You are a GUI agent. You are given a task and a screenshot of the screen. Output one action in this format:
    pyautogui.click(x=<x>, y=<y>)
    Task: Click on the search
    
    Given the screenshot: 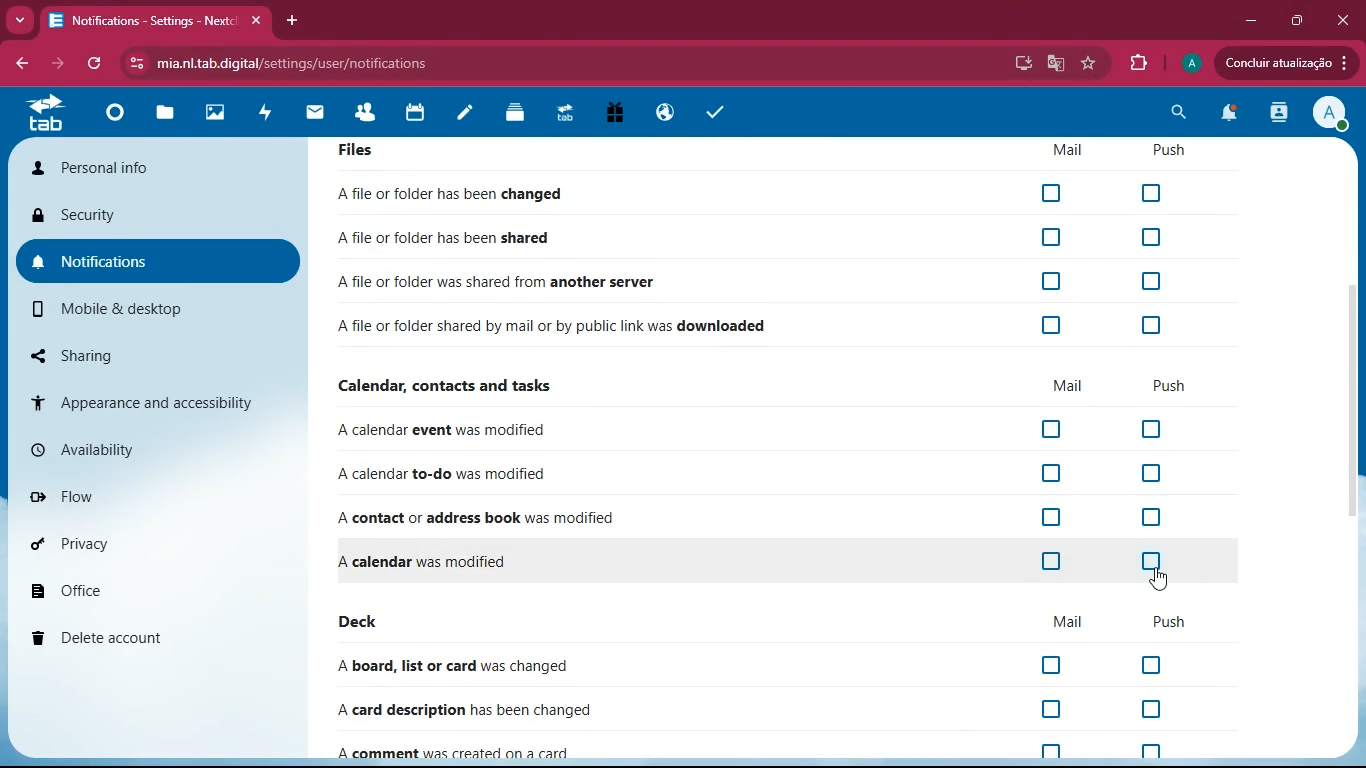 What is the action you would take?
    pyautogui.click(x=1178, y=113)
    